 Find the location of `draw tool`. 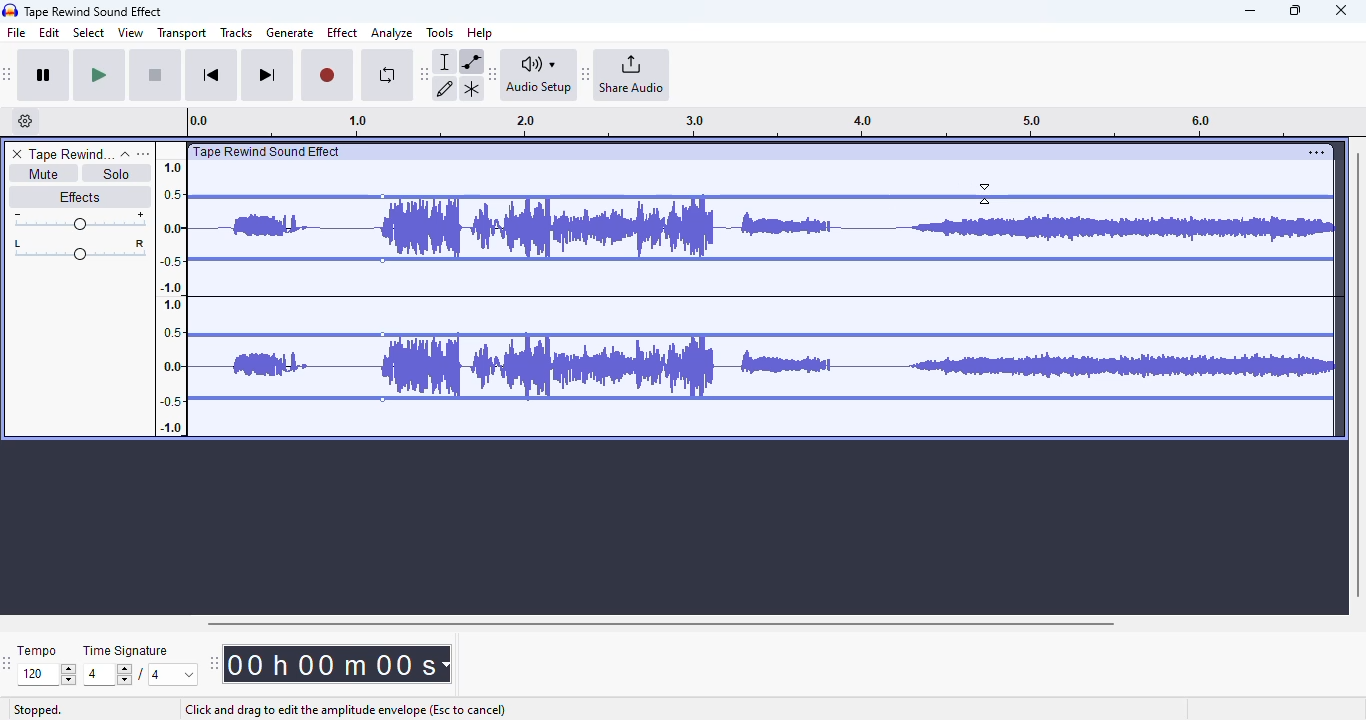

draw tool is located at coordinates (446, 88).